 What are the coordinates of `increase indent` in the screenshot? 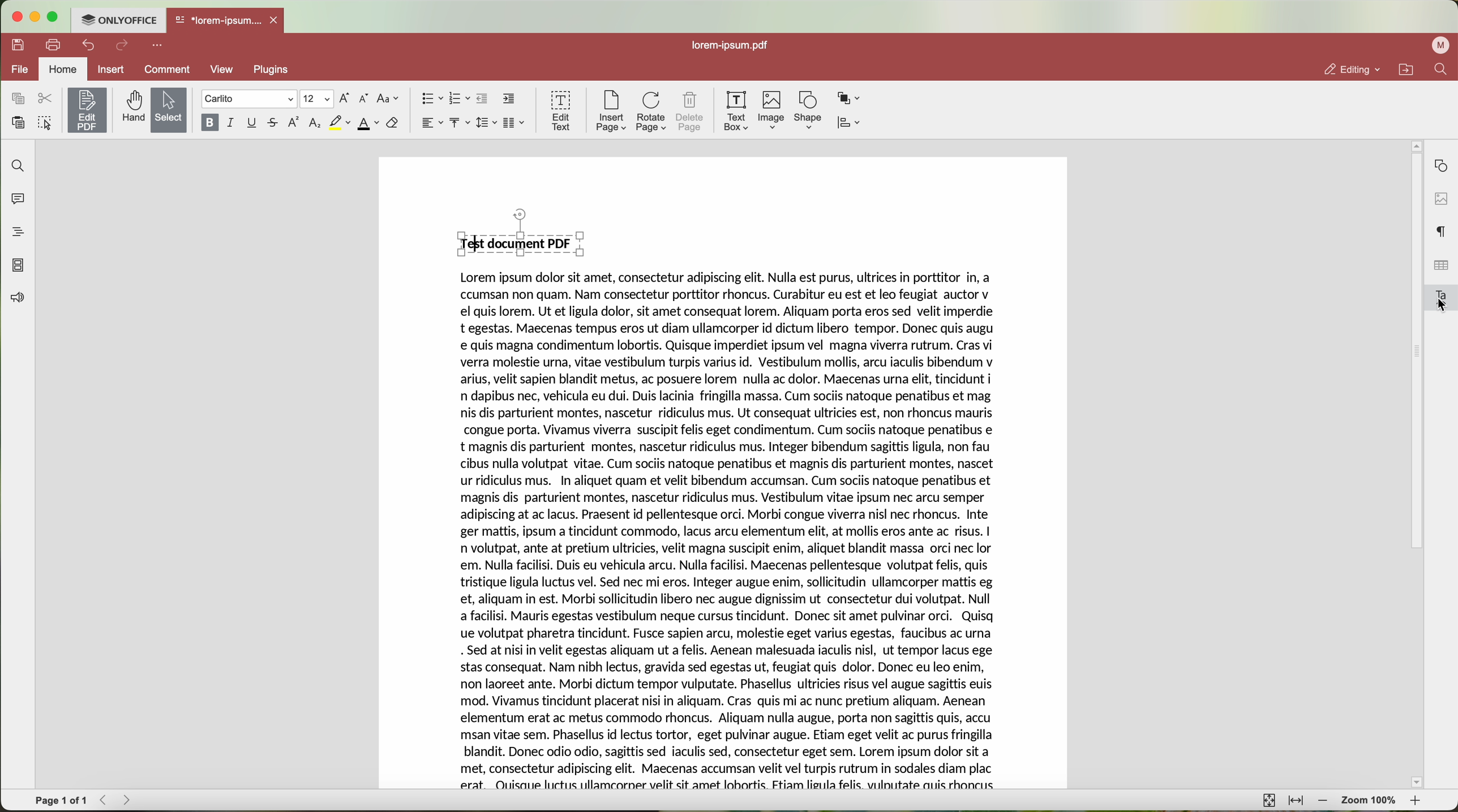 It's located at (509, 99).